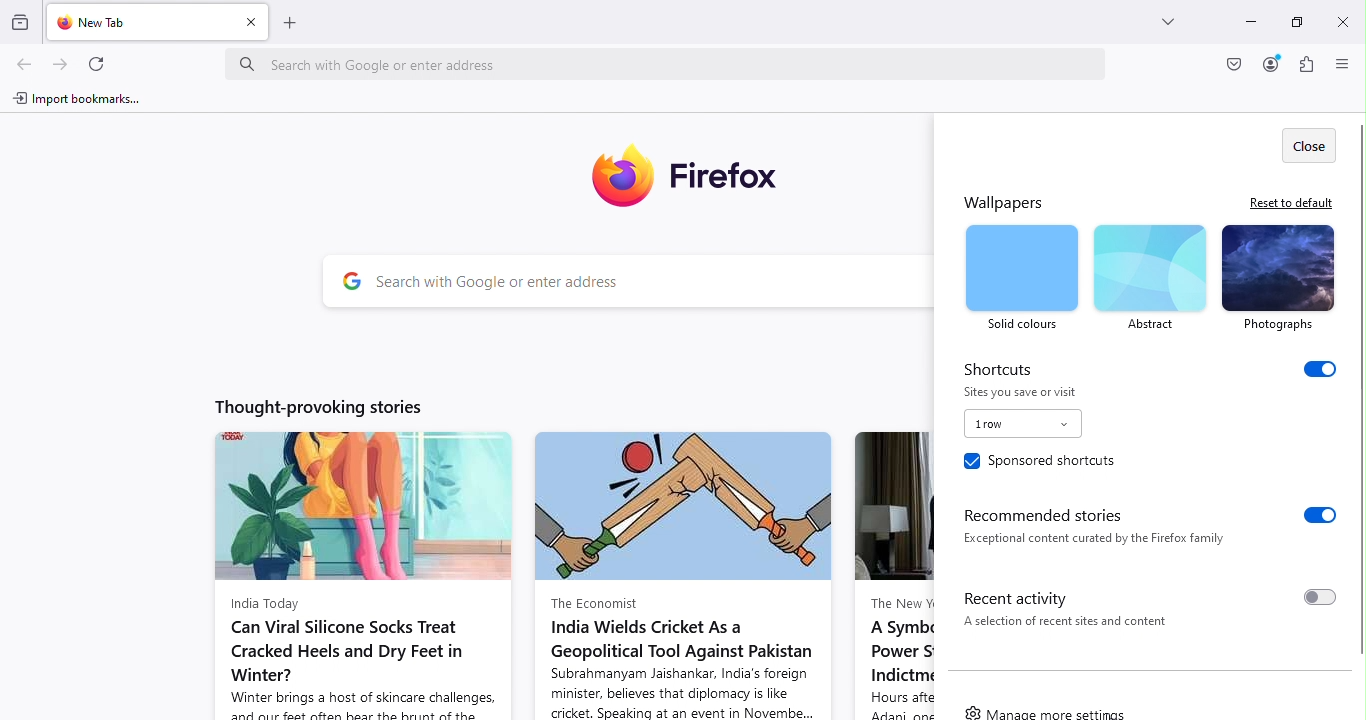 This screenshot has width=1366, height=720. Describe the element at coordinates (250, 21) in the screenshot. I see `Close tab` at that location.